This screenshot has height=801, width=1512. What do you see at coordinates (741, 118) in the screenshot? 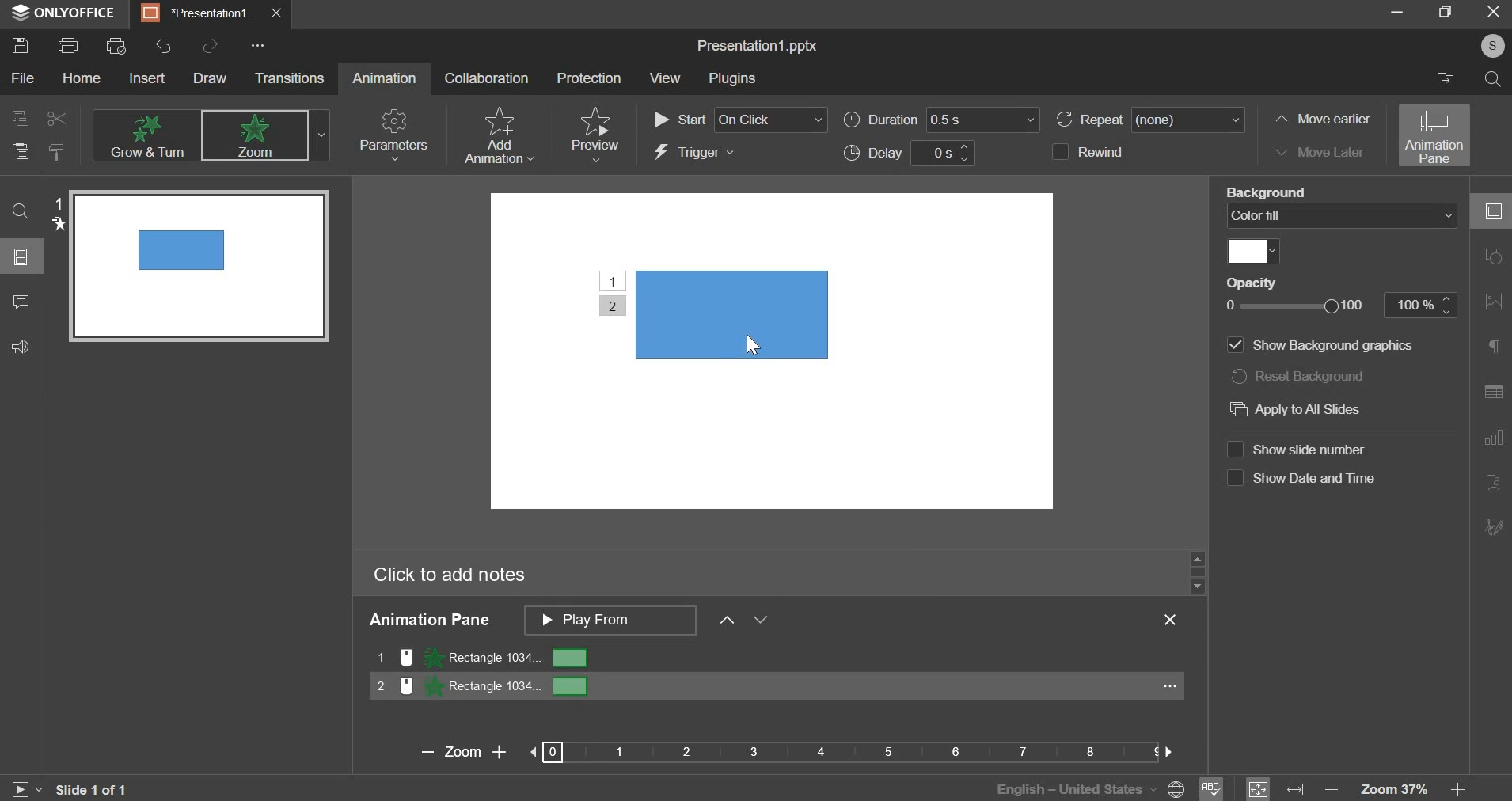
I see `start` at bounding box center [741, 118].